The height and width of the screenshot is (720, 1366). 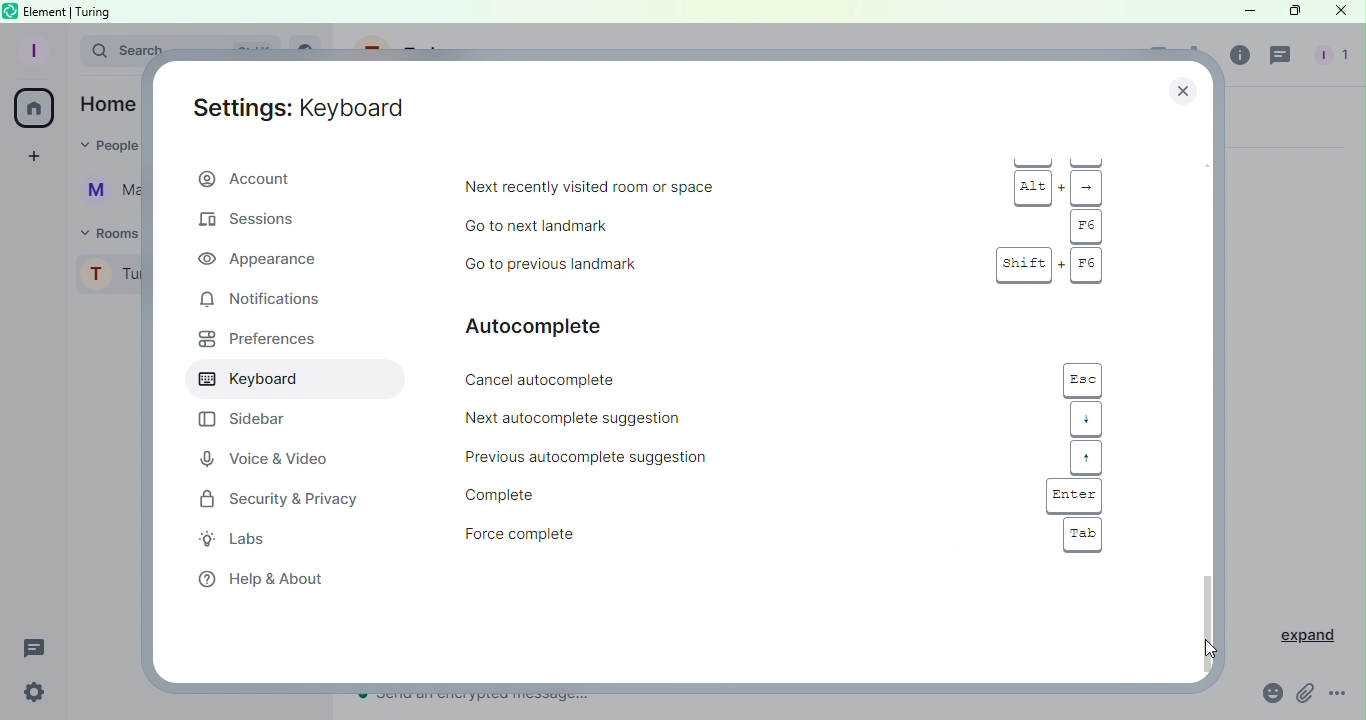 I want to click on Settings: Account, so click(x=305, y=107).